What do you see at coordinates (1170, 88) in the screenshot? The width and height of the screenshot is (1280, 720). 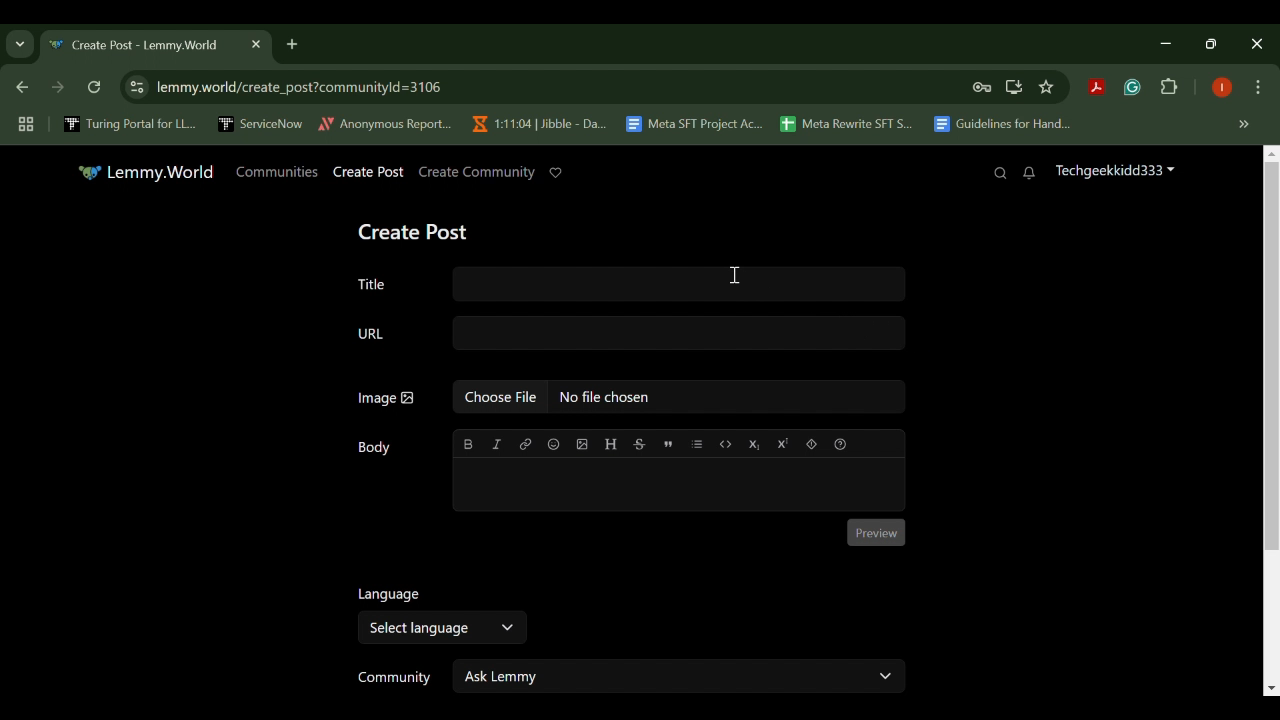 I see `Extensions` at bounding box center [1170, 88].